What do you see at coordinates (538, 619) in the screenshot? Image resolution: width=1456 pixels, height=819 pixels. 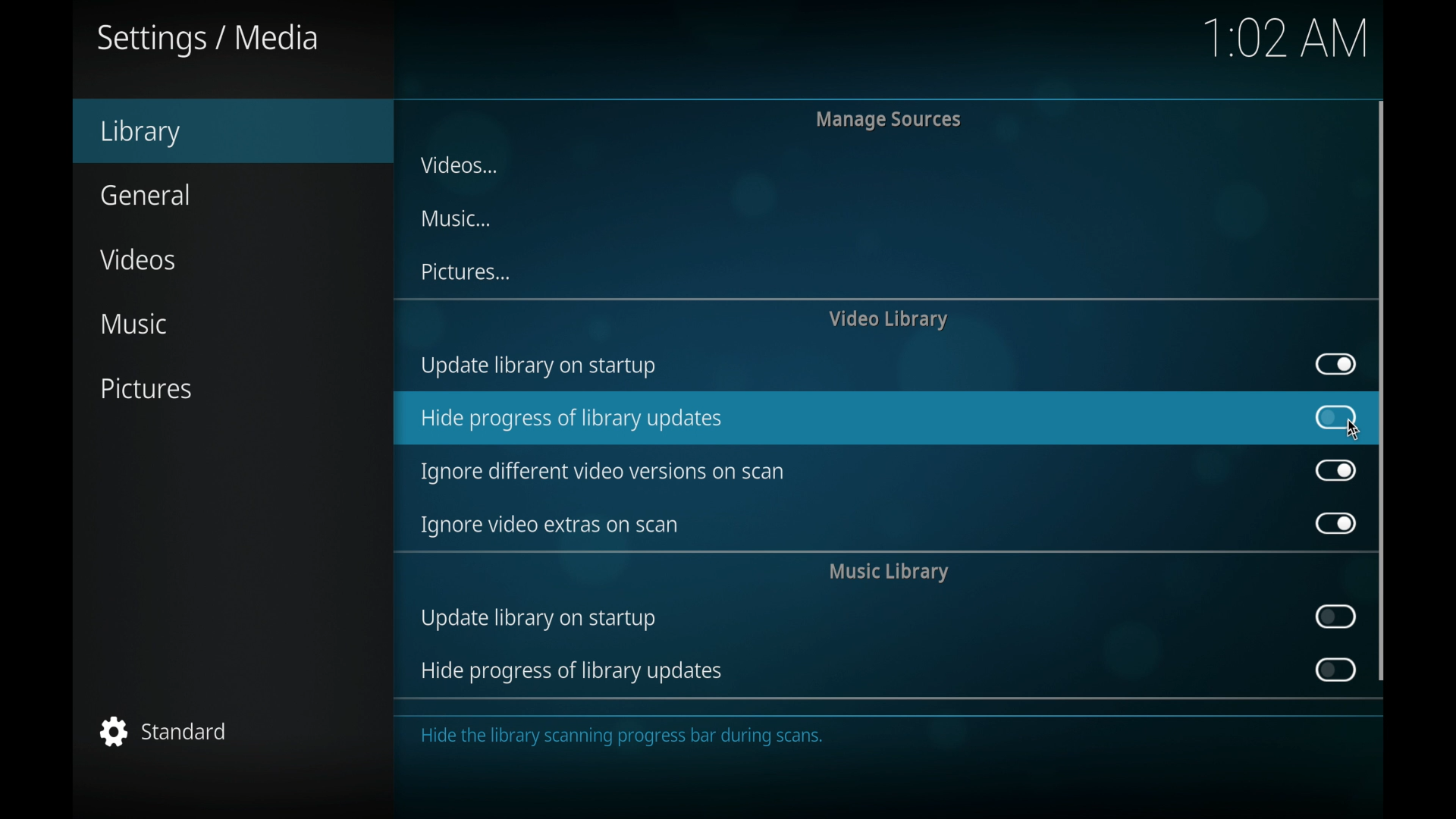 I see `update library on startup` at bounding box center [538, 619].